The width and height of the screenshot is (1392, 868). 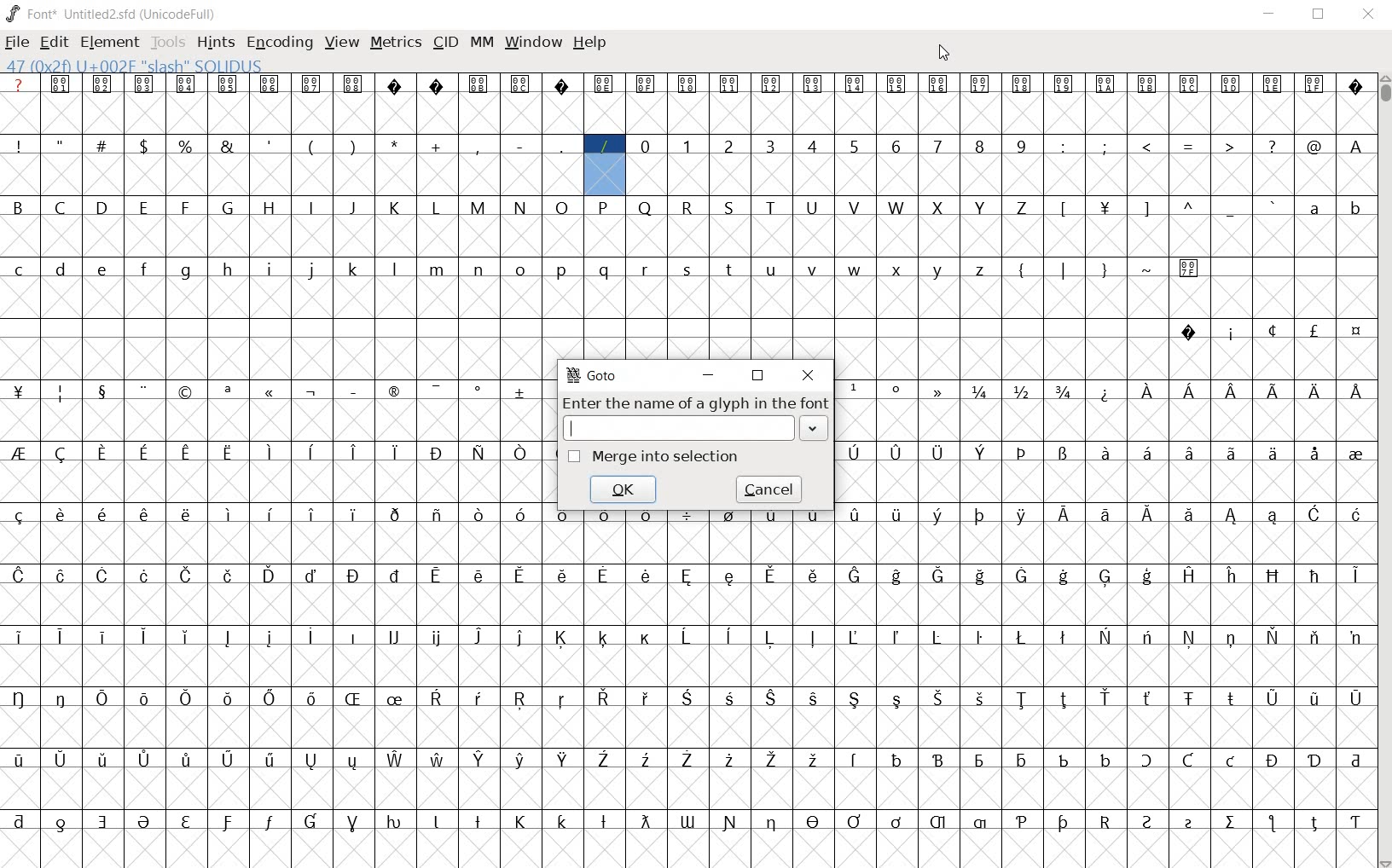 What do you see at coordinates (1146, 636) in the screenshot?
I see `glyph` at bounding box center [1146, 636].